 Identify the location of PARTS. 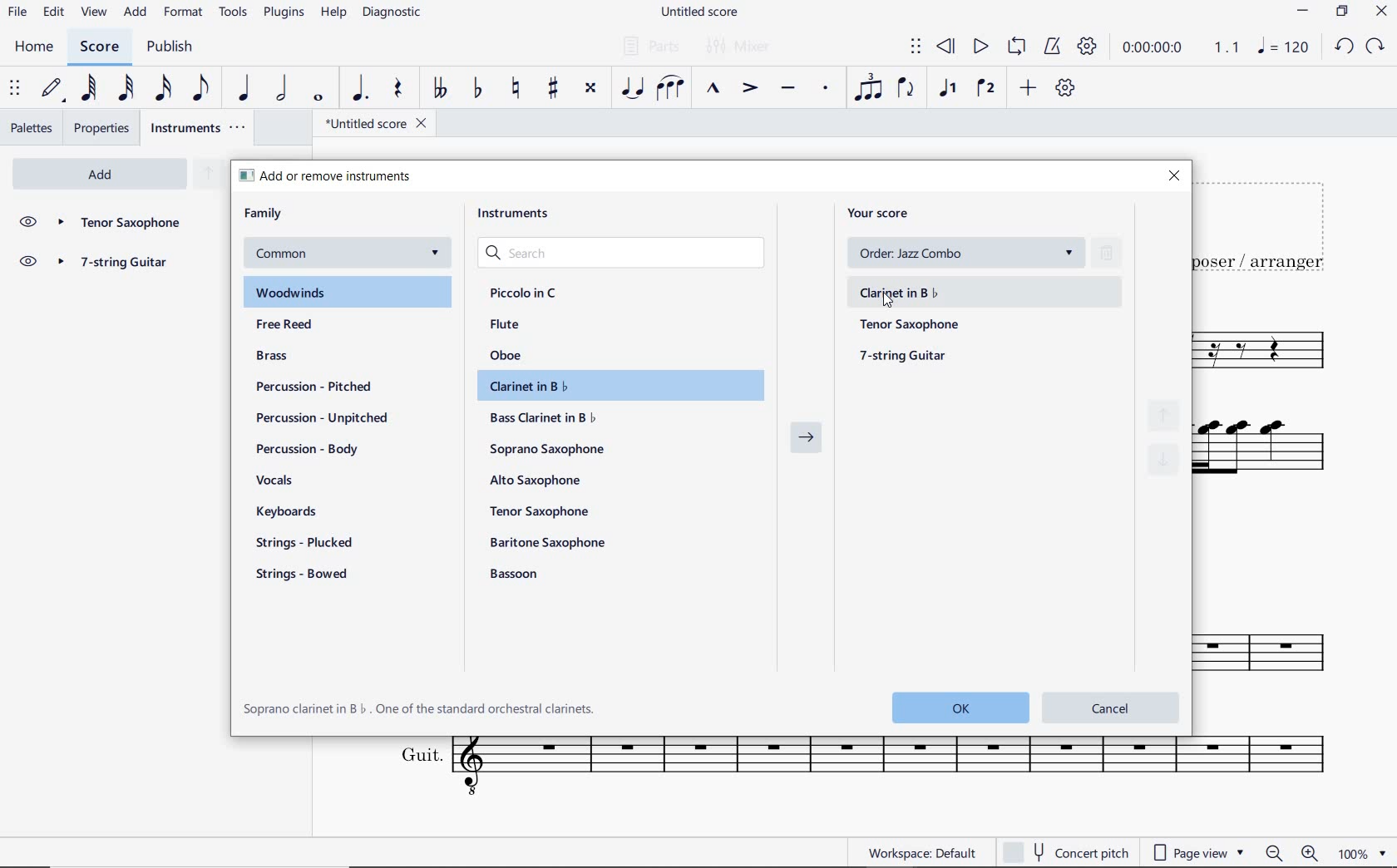
(648, 44).